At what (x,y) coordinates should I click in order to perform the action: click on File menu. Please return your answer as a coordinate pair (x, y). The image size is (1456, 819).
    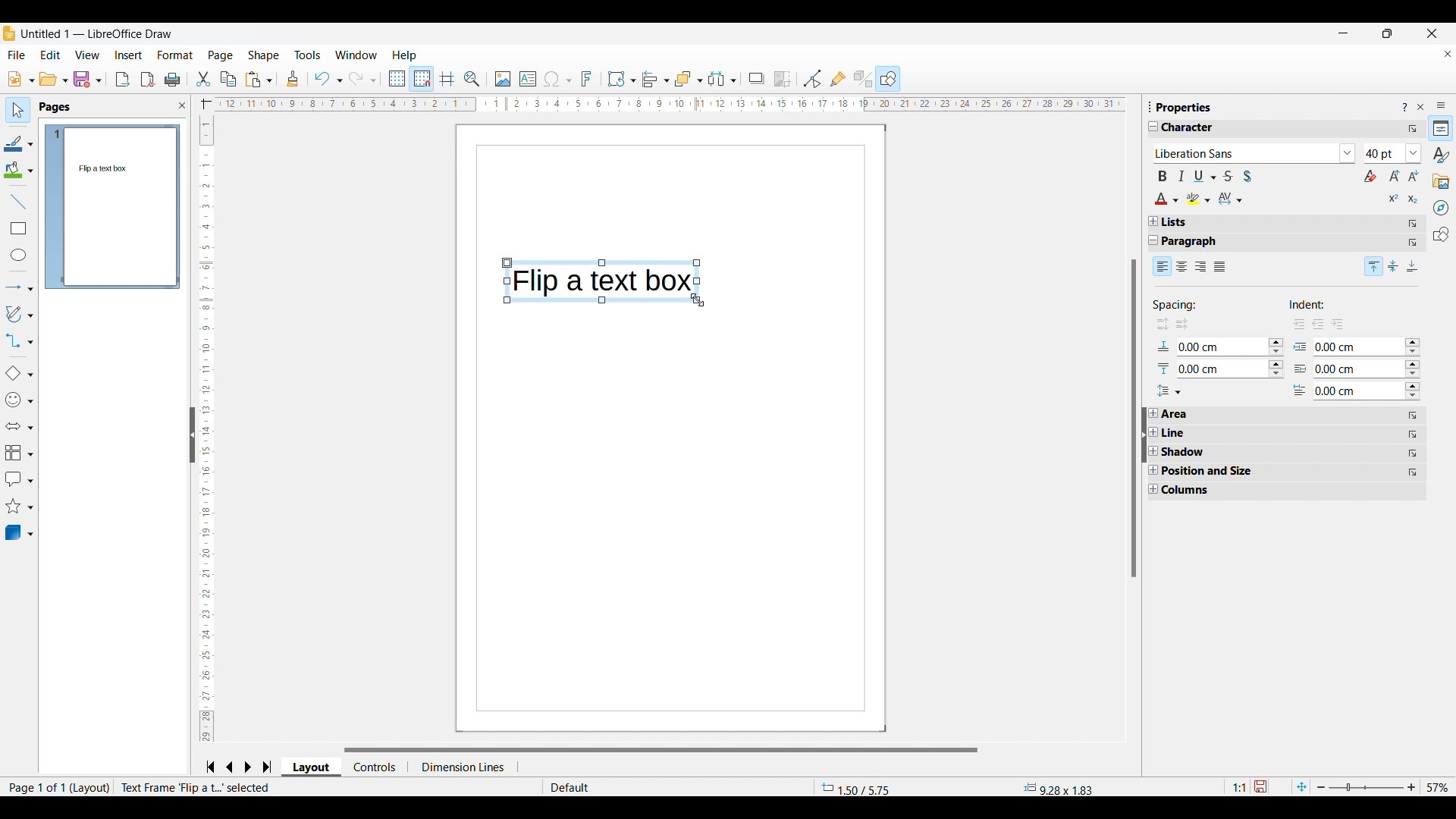
    Looking at the image, I should click on (16, 55).